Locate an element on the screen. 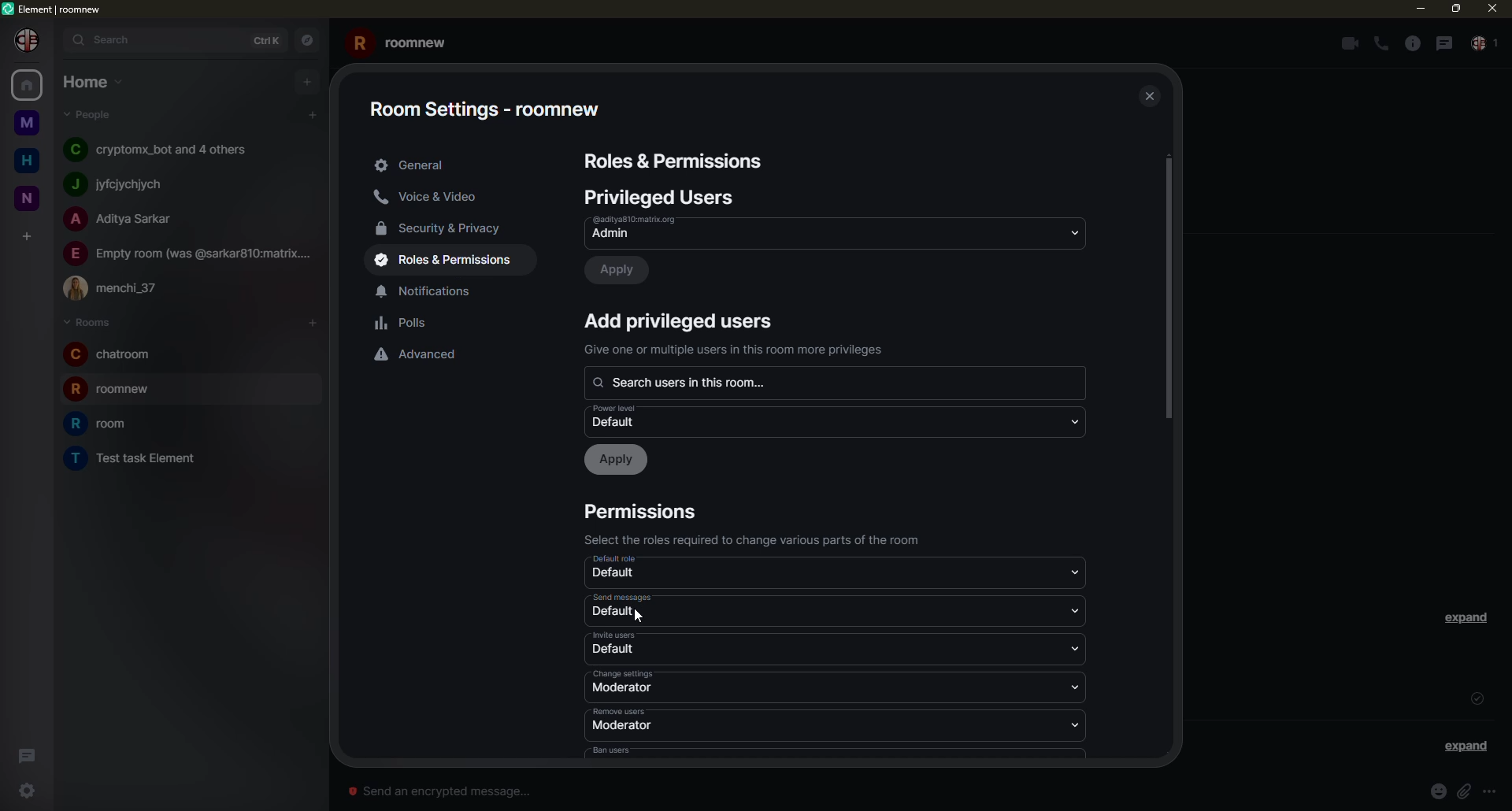 This screenshot has height=811, width=1512. drop is located at coordinates (1080, 650).